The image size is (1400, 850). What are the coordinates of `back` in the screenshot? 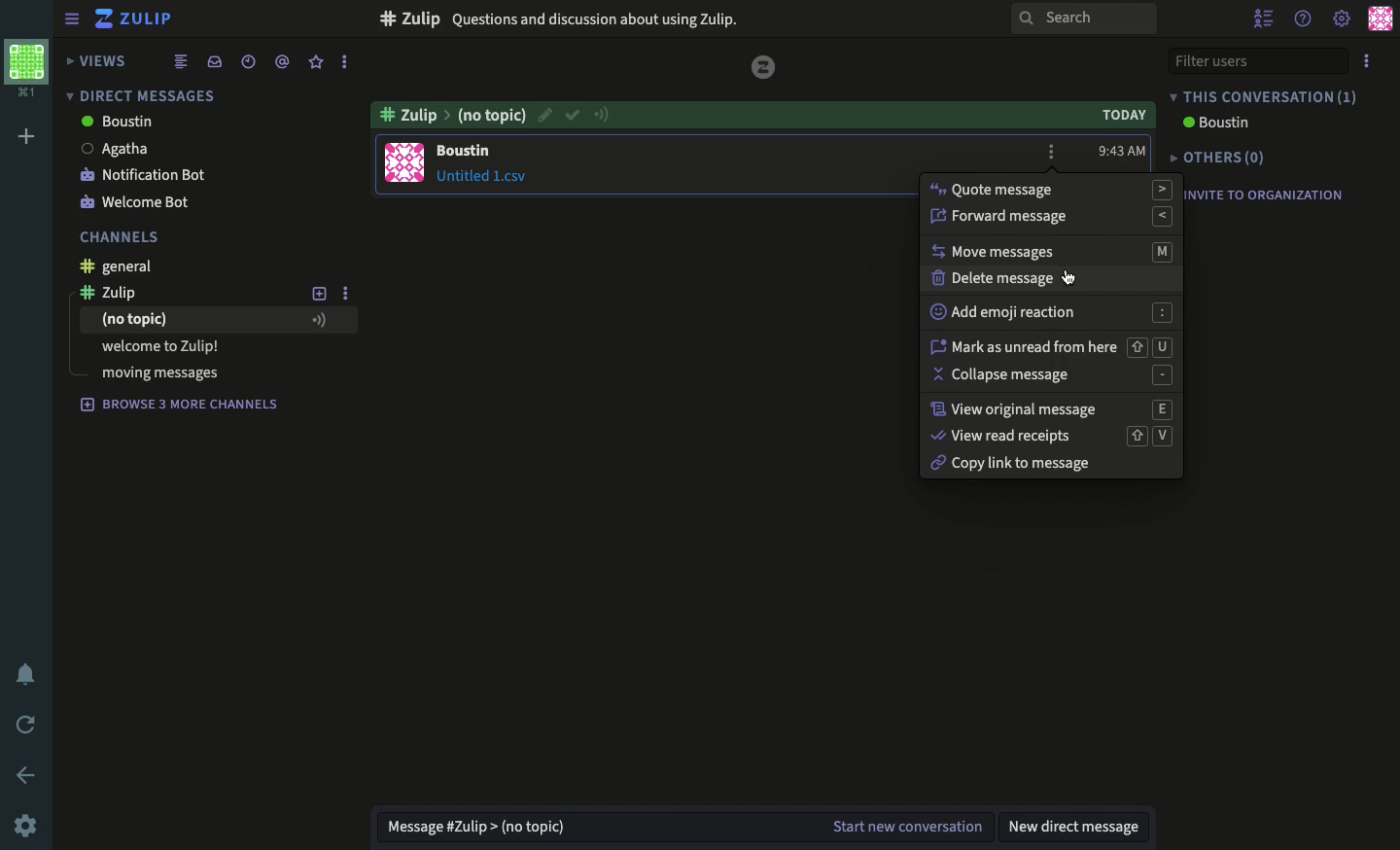 It's located at (25, 773).